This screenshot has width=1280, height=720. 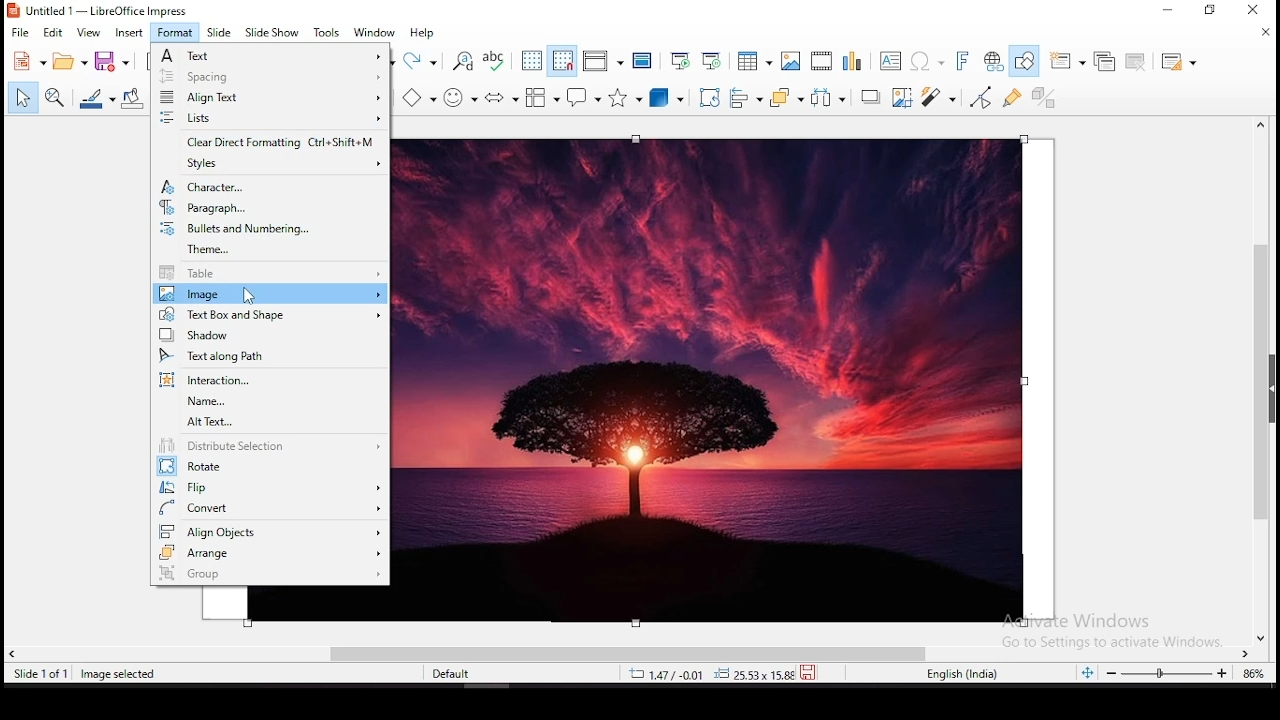 I want to click on character, so click(x=268, y=186).